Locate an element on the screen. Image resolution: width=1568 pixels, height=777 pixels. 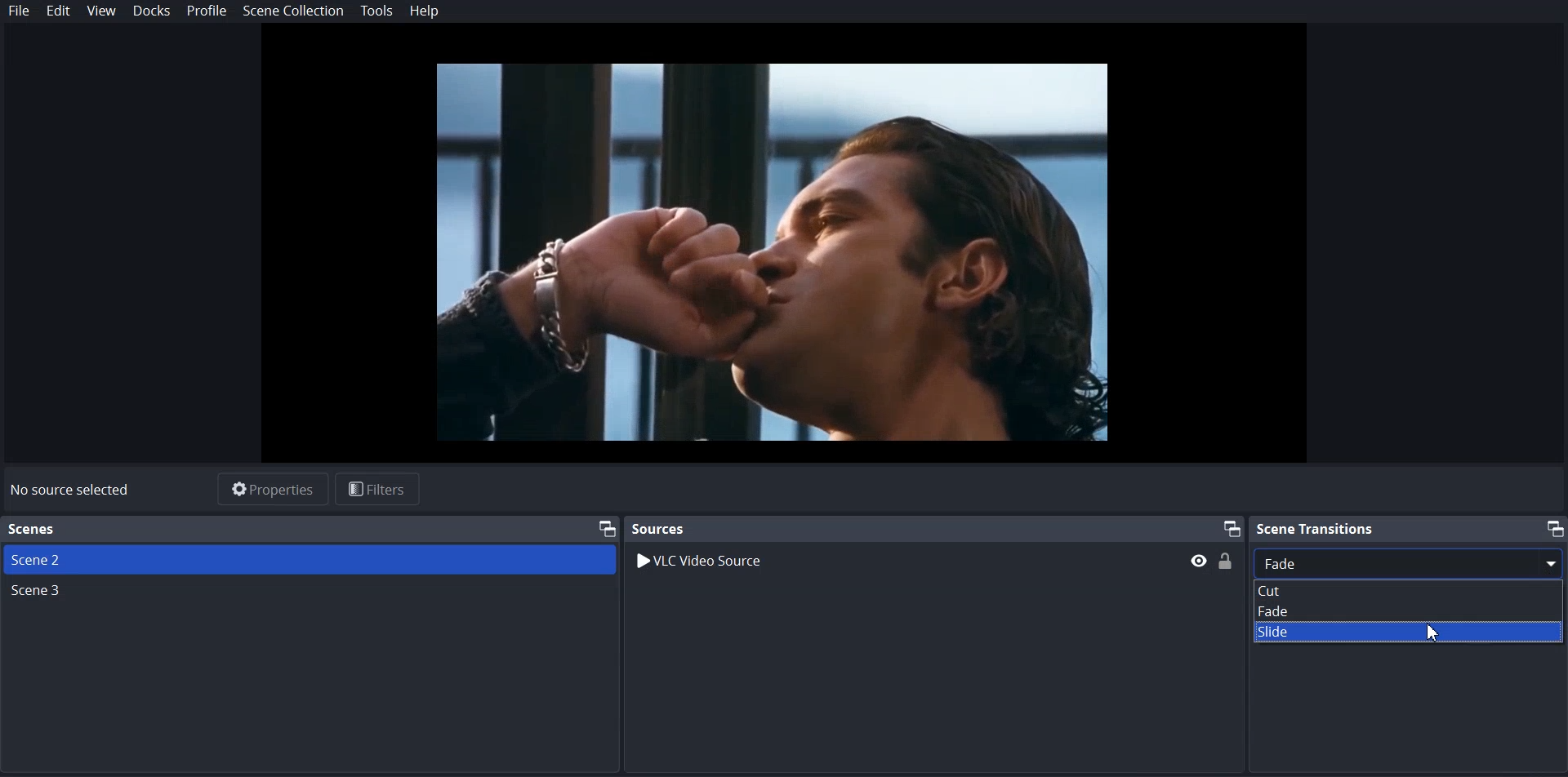
Select Scene Transition is located at coordinates (1410, 562).